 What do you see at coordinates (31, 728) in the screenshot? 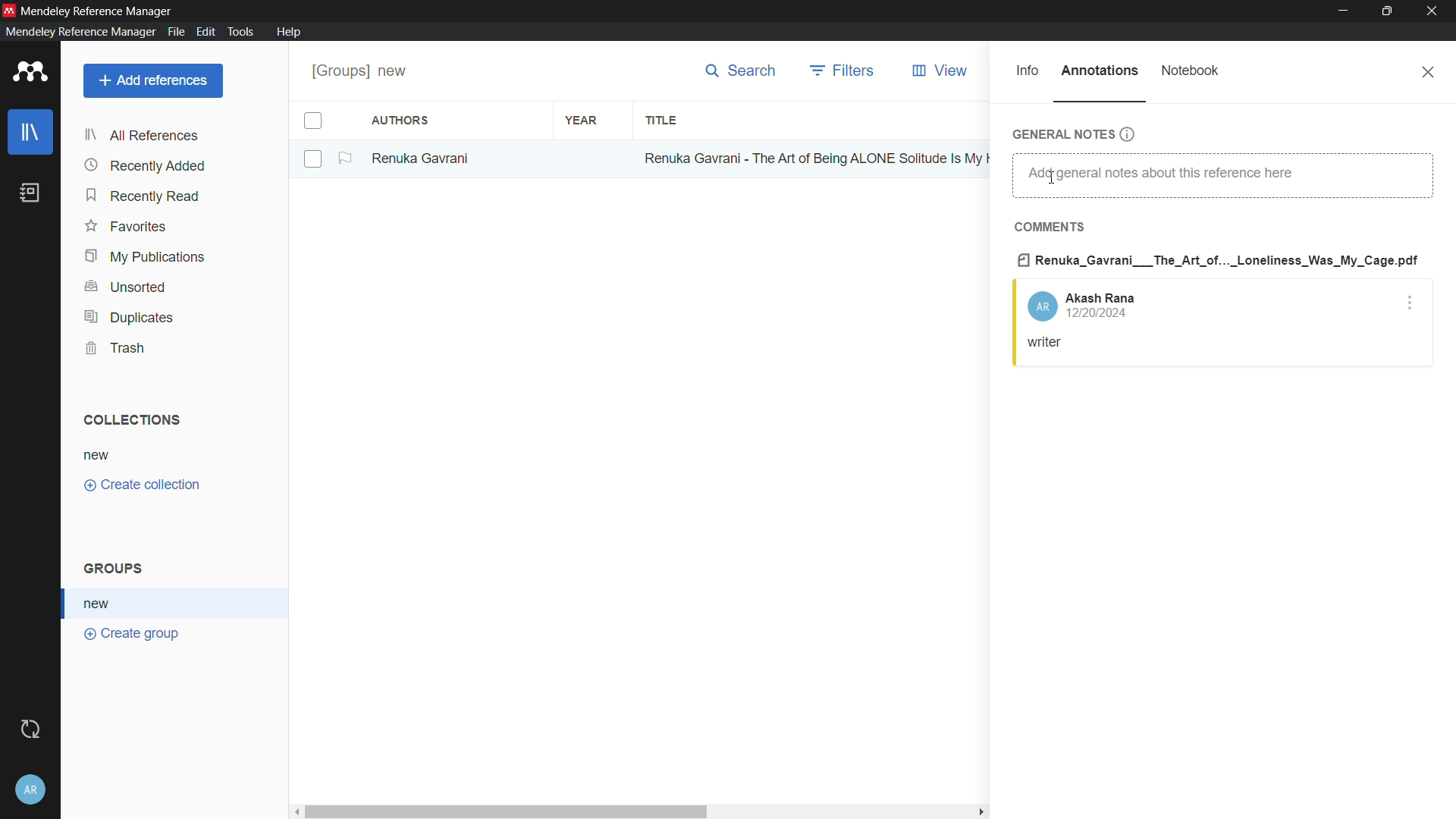
I see `sync` at bounding box center [31, 728].